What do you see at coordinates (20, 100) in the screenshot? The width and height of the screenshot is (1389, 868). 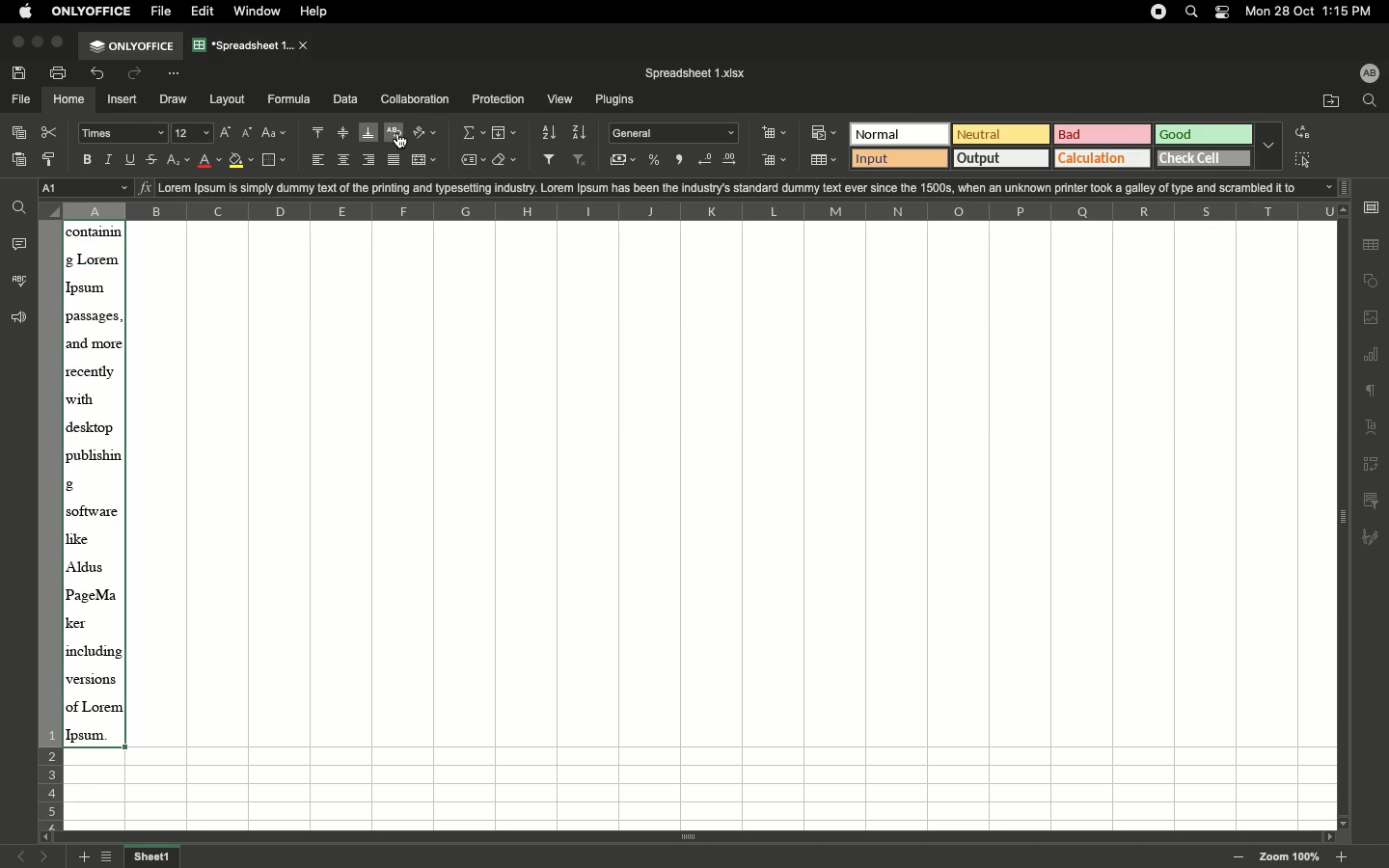 I see `File` at bounding box center [20, 100].